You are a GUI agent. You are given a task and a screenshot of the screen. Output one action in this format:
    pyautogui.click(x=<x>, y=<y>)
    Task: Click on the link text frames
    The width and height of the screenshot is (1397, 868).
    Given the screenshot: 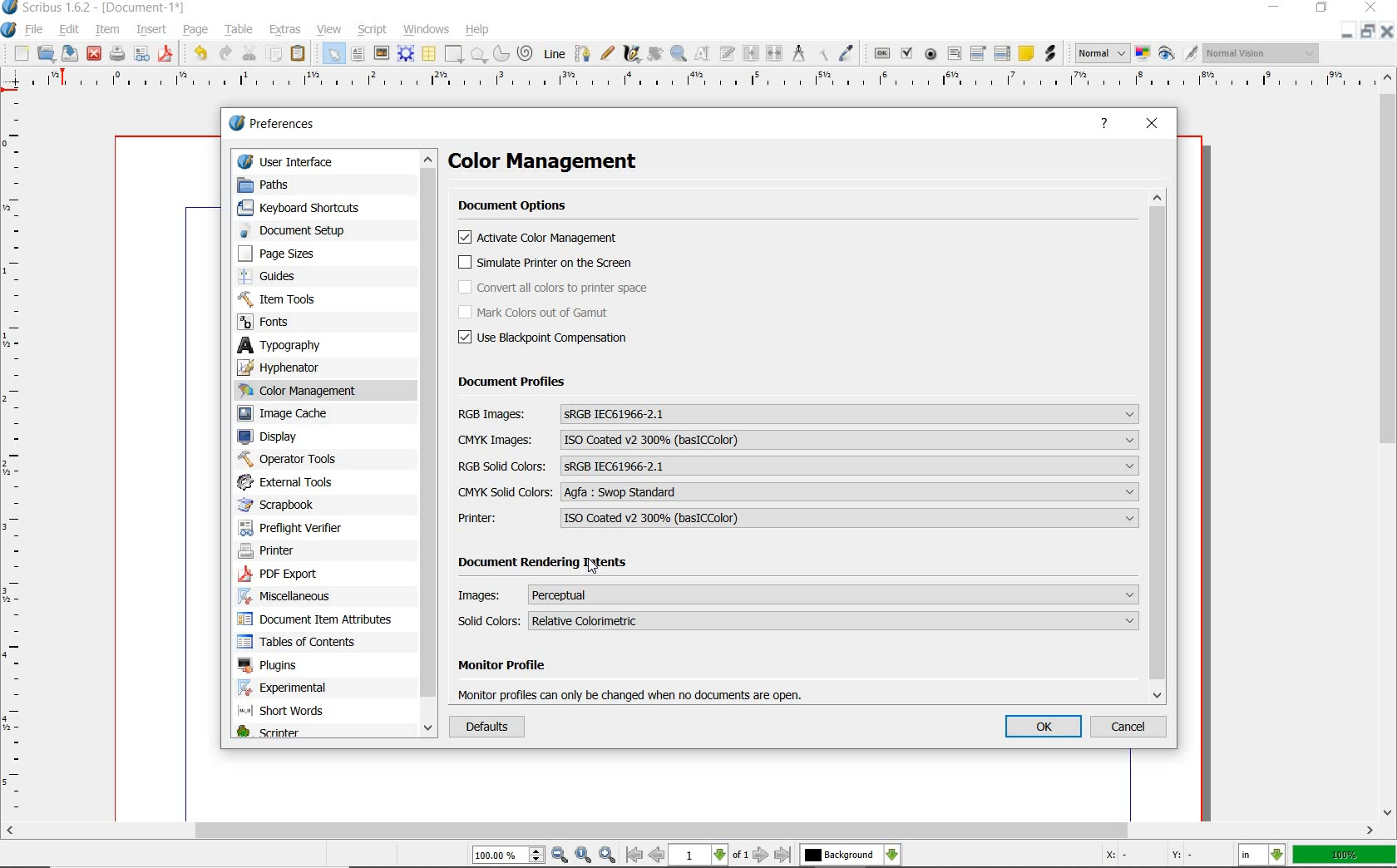 What is the action you would take?
    pyautogui.click(x=748, y=55)
    